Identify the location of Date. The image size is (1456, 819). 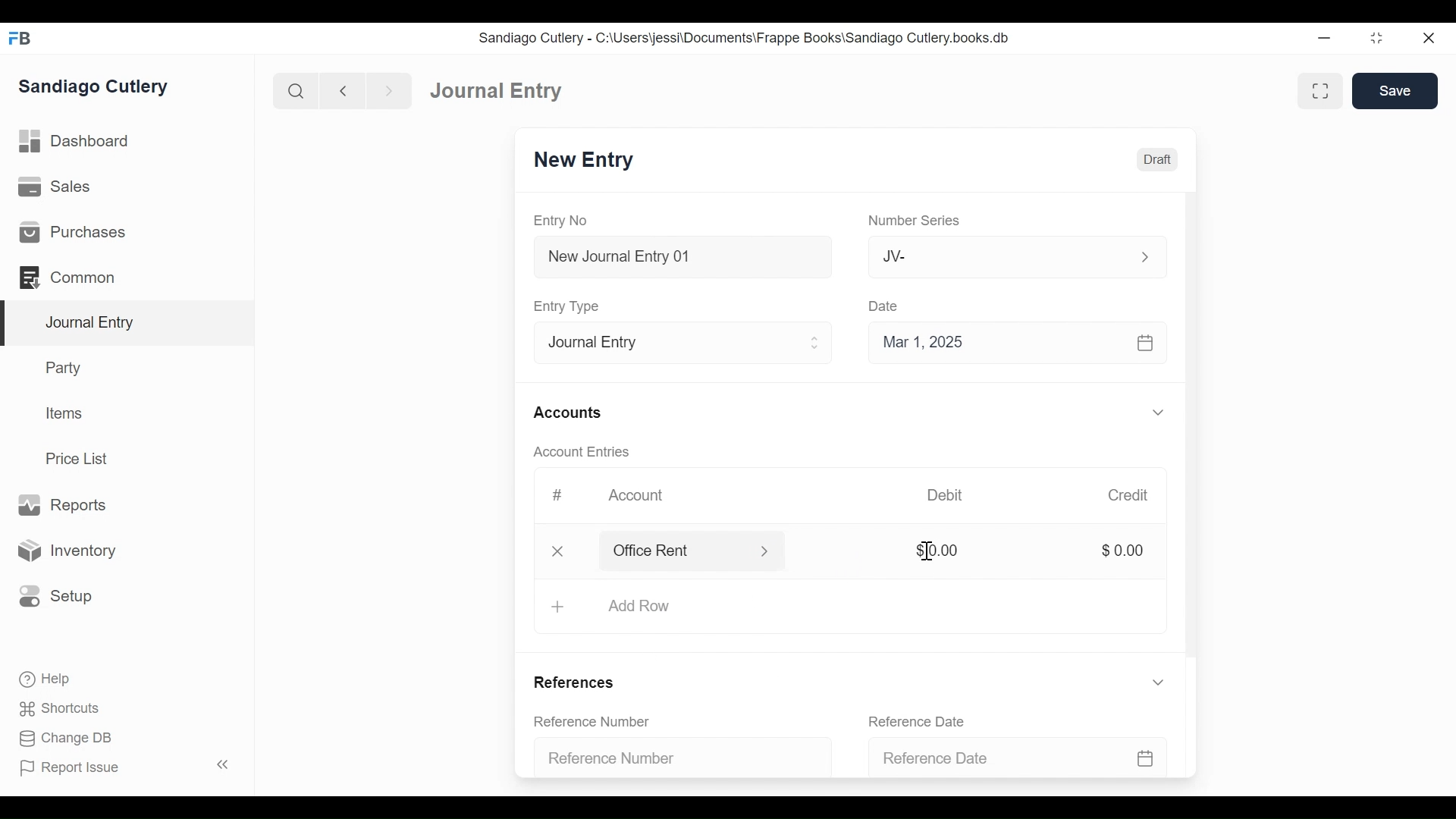
(884, 306).